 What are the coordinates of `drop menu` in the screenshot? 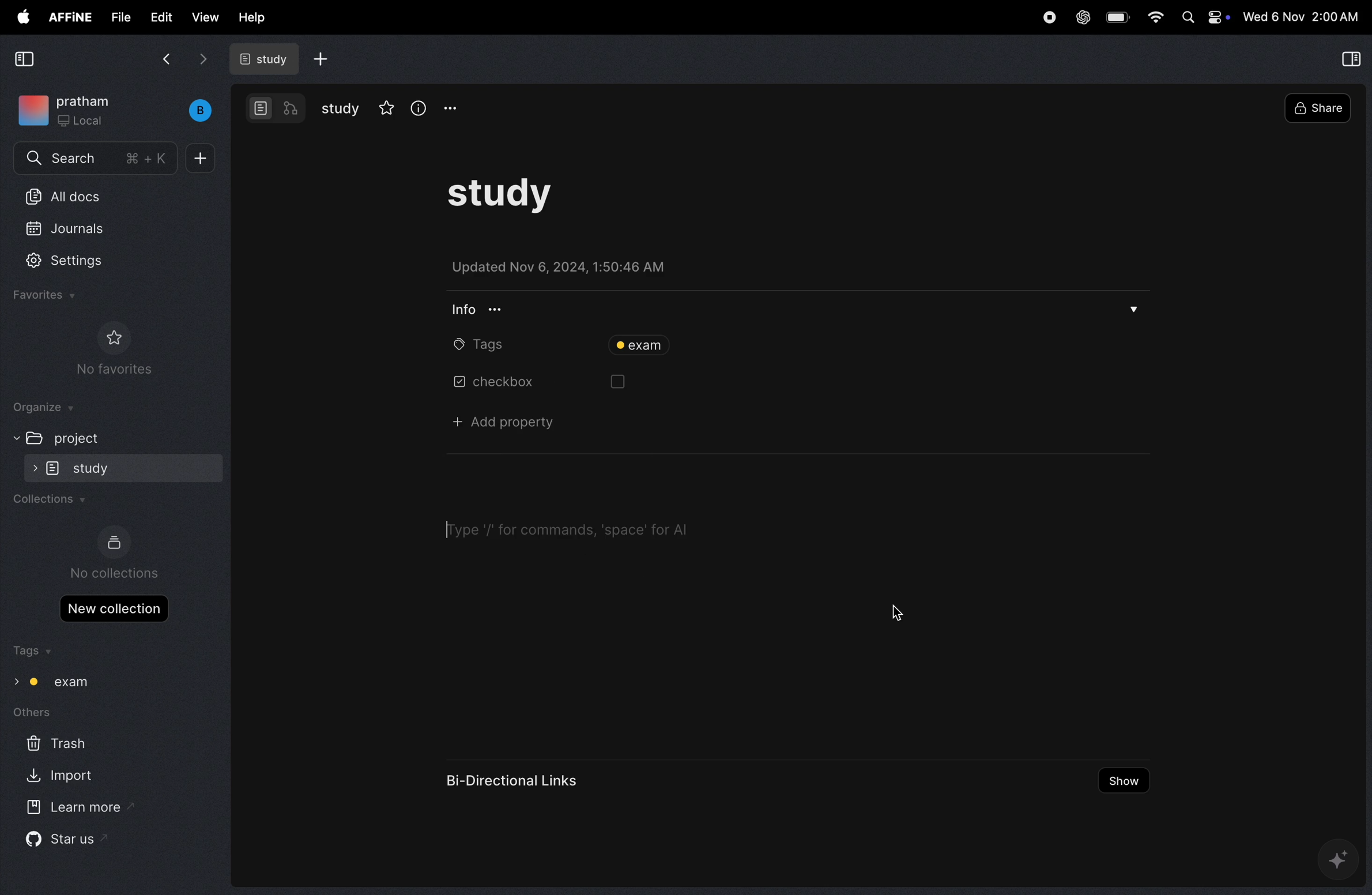 It's located at (1130, 309).